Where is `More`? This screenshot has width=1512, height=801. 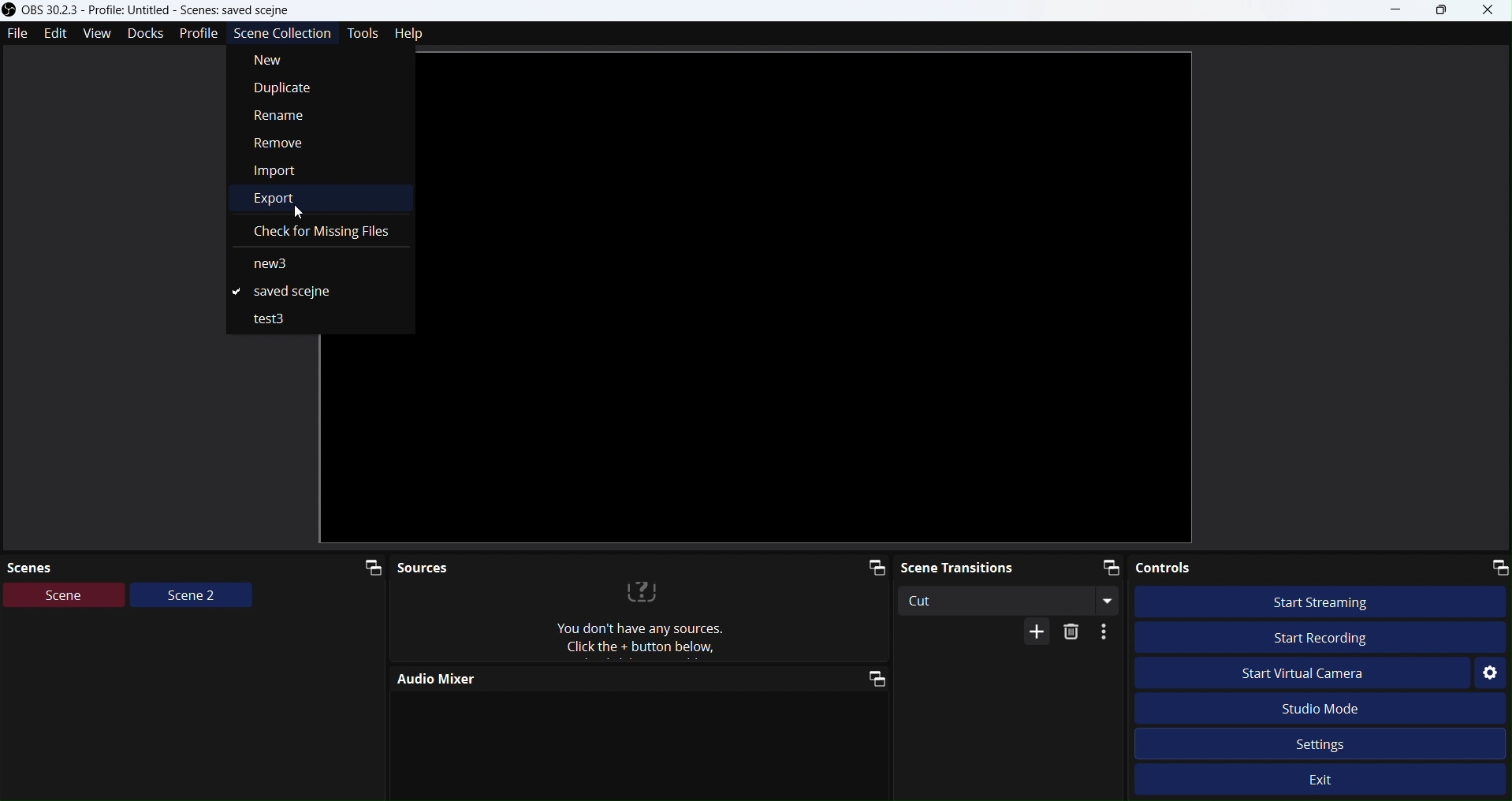
More is located at coordinates (1108, 631).